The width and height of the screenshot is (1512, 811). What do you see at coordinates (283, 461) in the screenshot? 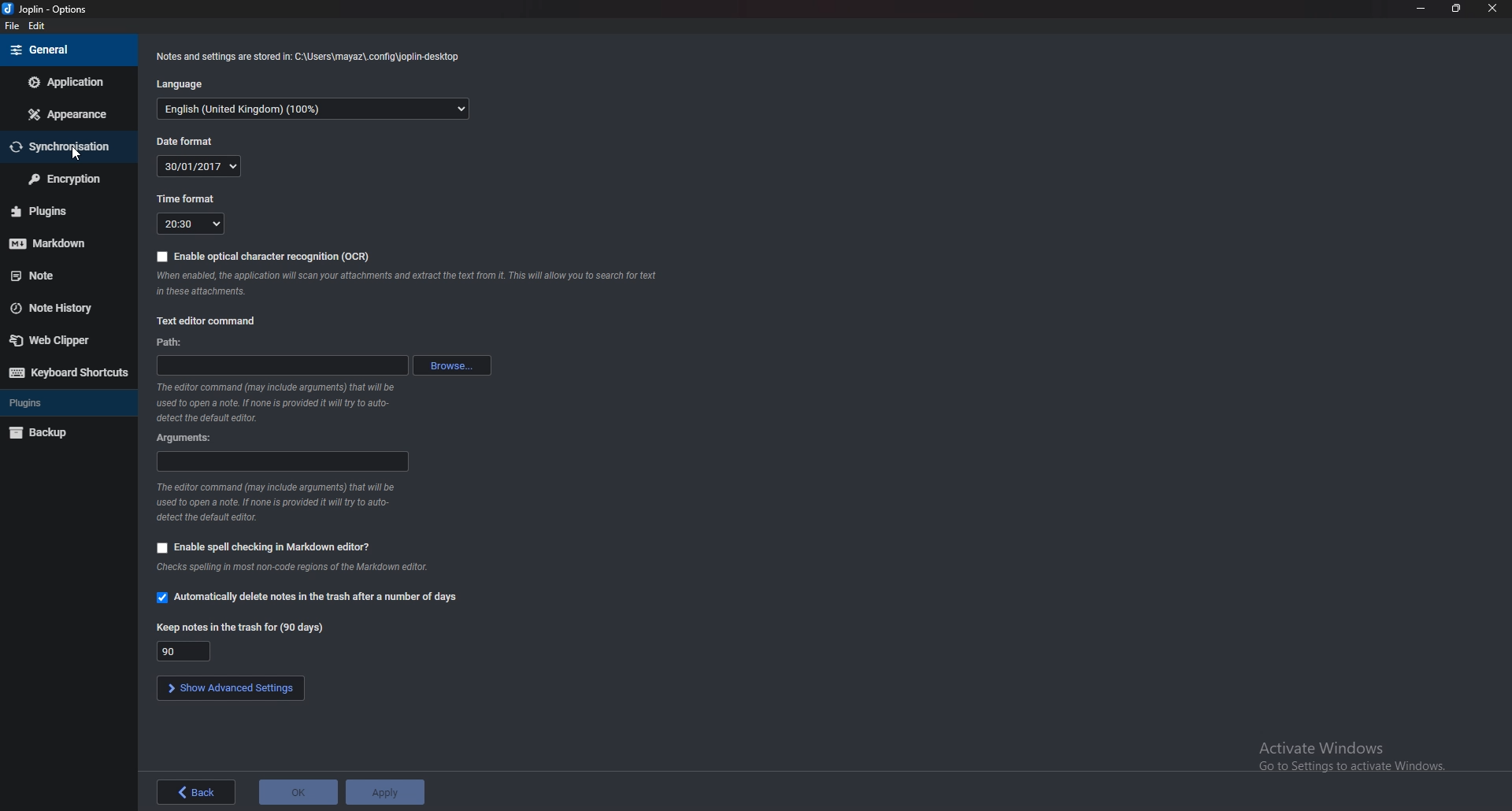
I see `arguments` at bounding box center [283, 461].